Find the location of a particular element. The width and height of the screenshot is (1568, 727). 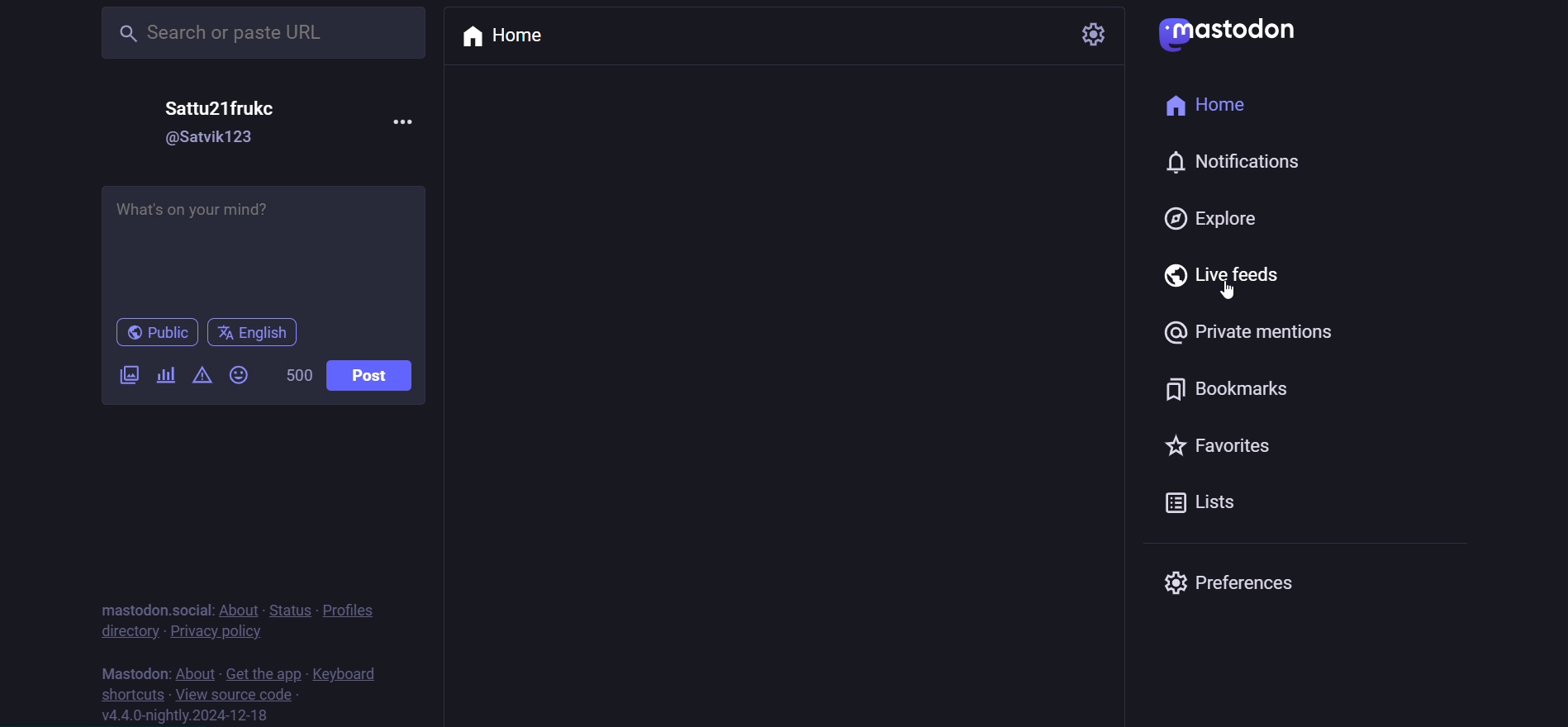

shortcut is located at coordinates (126, 694).